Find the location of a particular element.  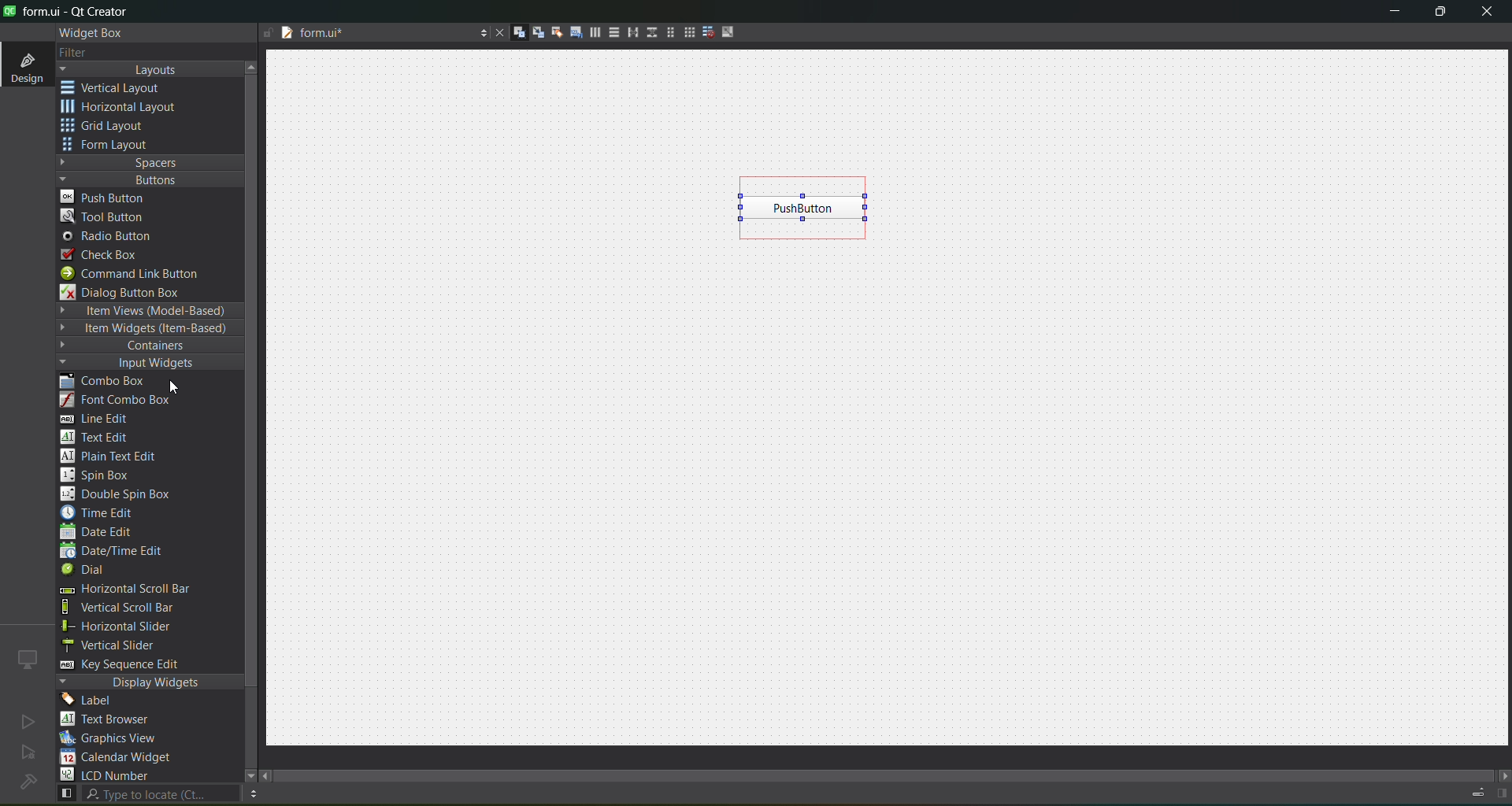

horizontal slider is located at coordinates (134, 627).